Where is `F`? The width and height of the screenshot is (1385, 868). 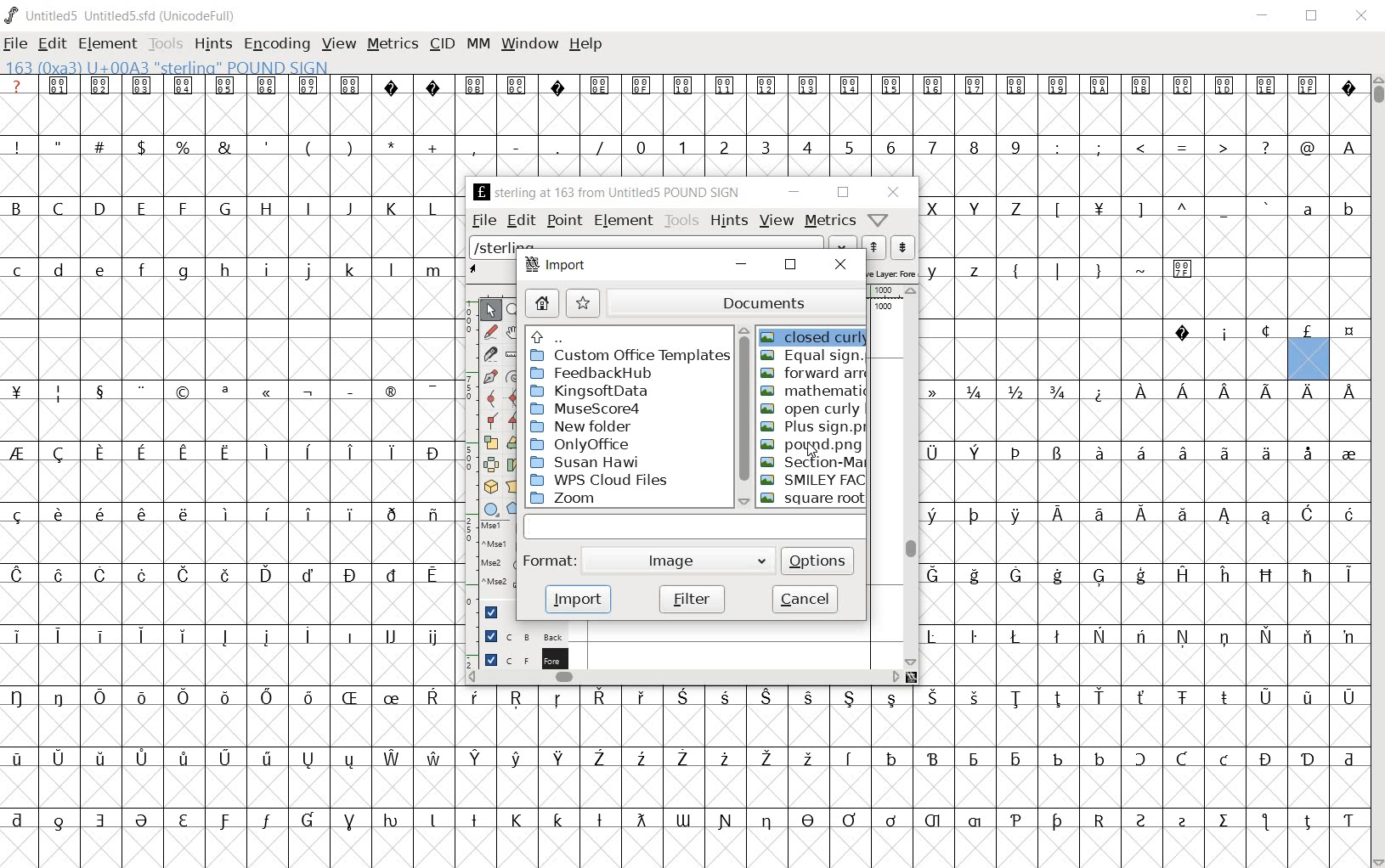
F is located at coordinates (182, 209).